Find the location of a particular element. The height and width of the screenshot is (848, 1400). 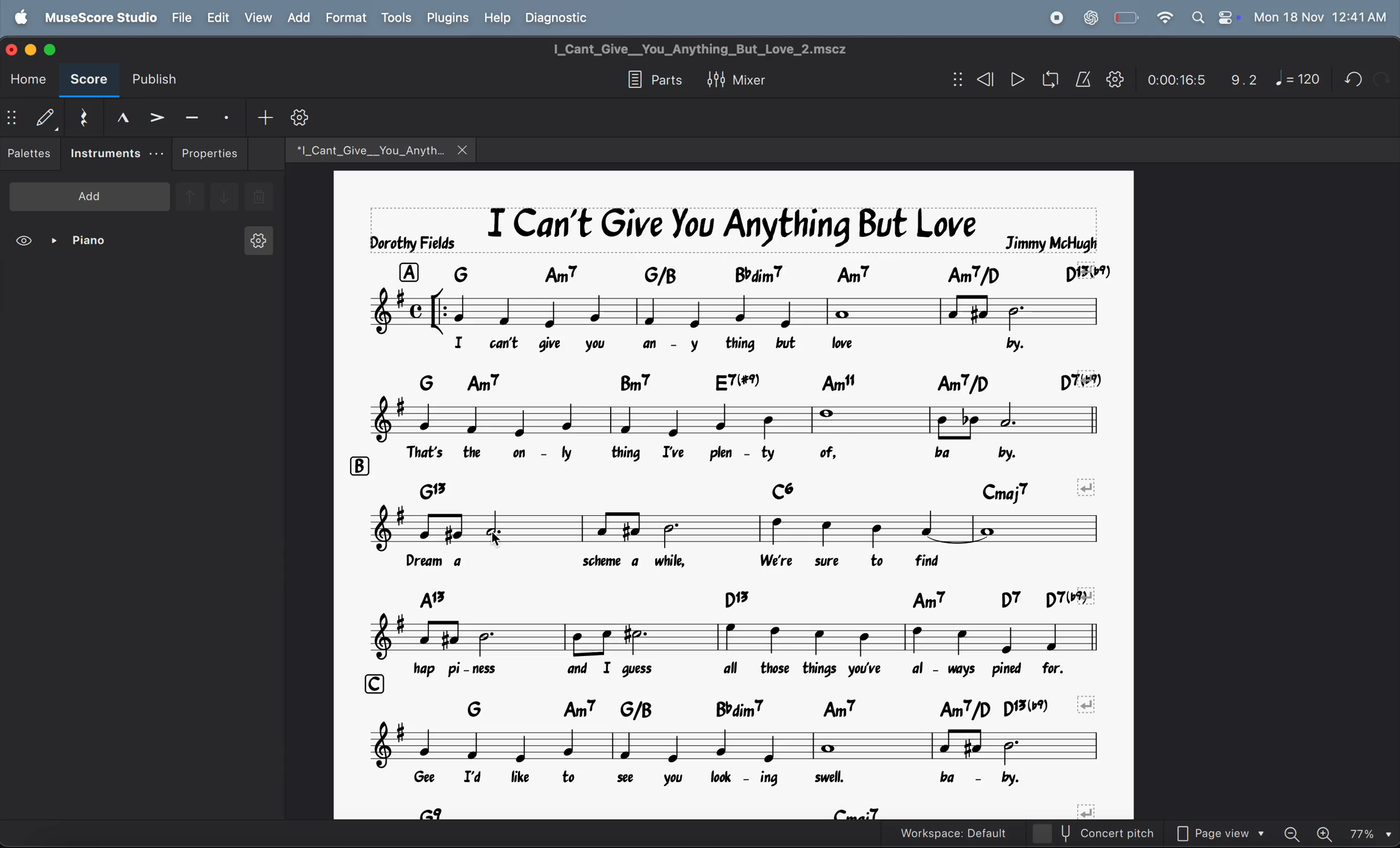

time frame is located at coordinates (1171, 81).